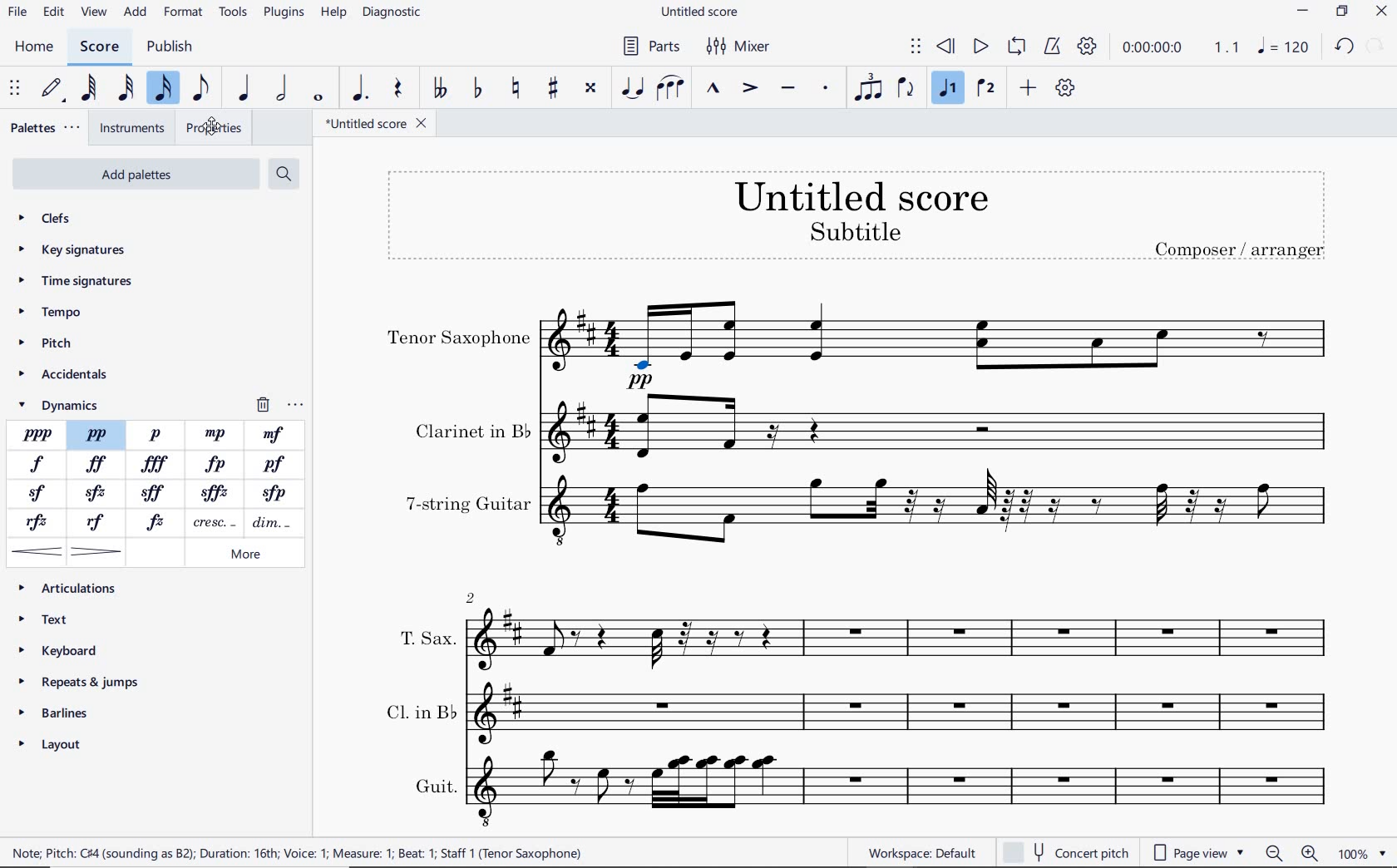 This screenshot has width=1397, height=868. Describe the element at coordinates (204, 91) in the screenshot. I see `EIGHTH NOTE` at that location.